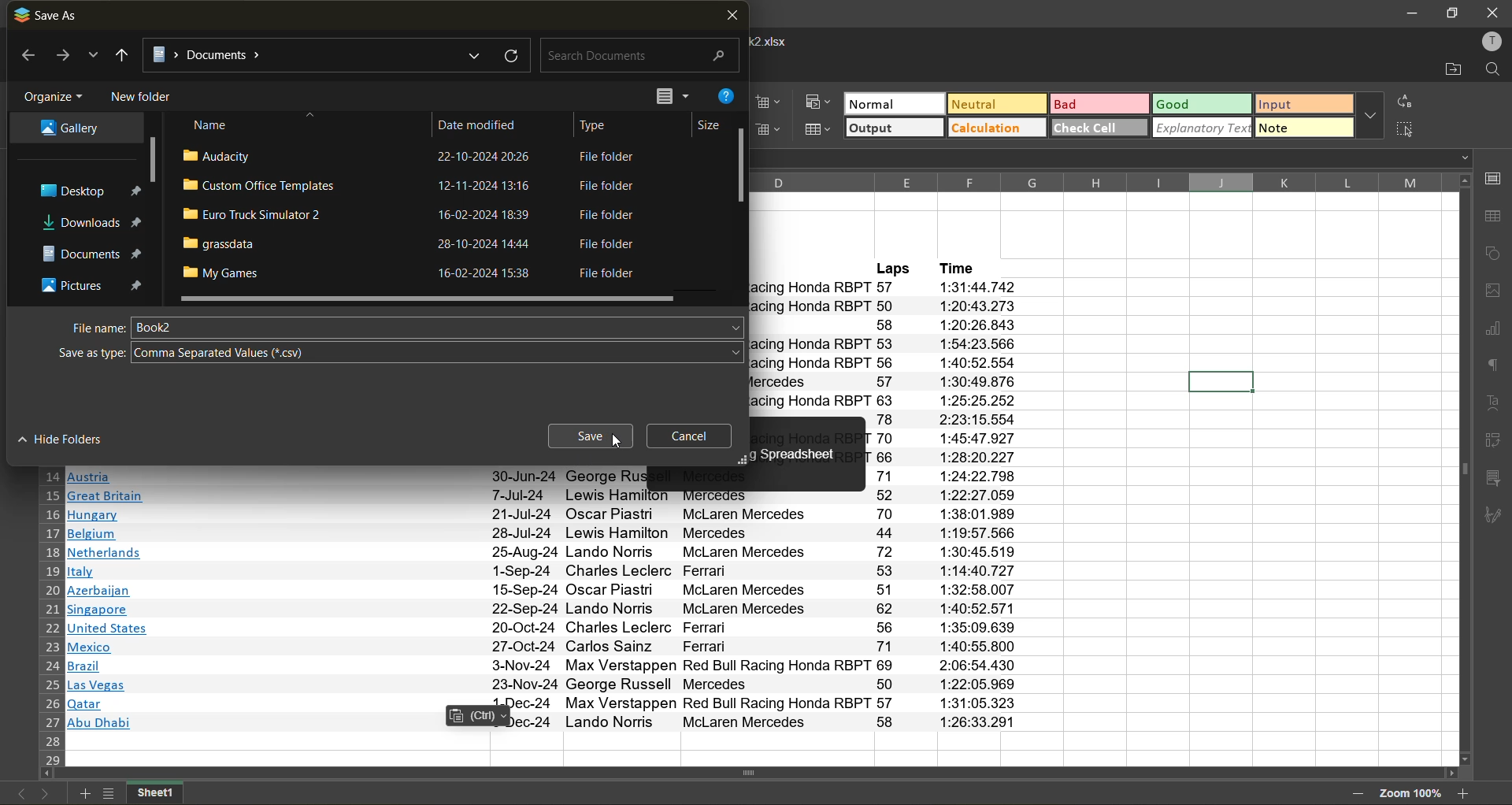 This screenshot has height=805, width=1512. Describe the element at coordinates (1497, 518) in the screenshot. I see `signature` at that location.